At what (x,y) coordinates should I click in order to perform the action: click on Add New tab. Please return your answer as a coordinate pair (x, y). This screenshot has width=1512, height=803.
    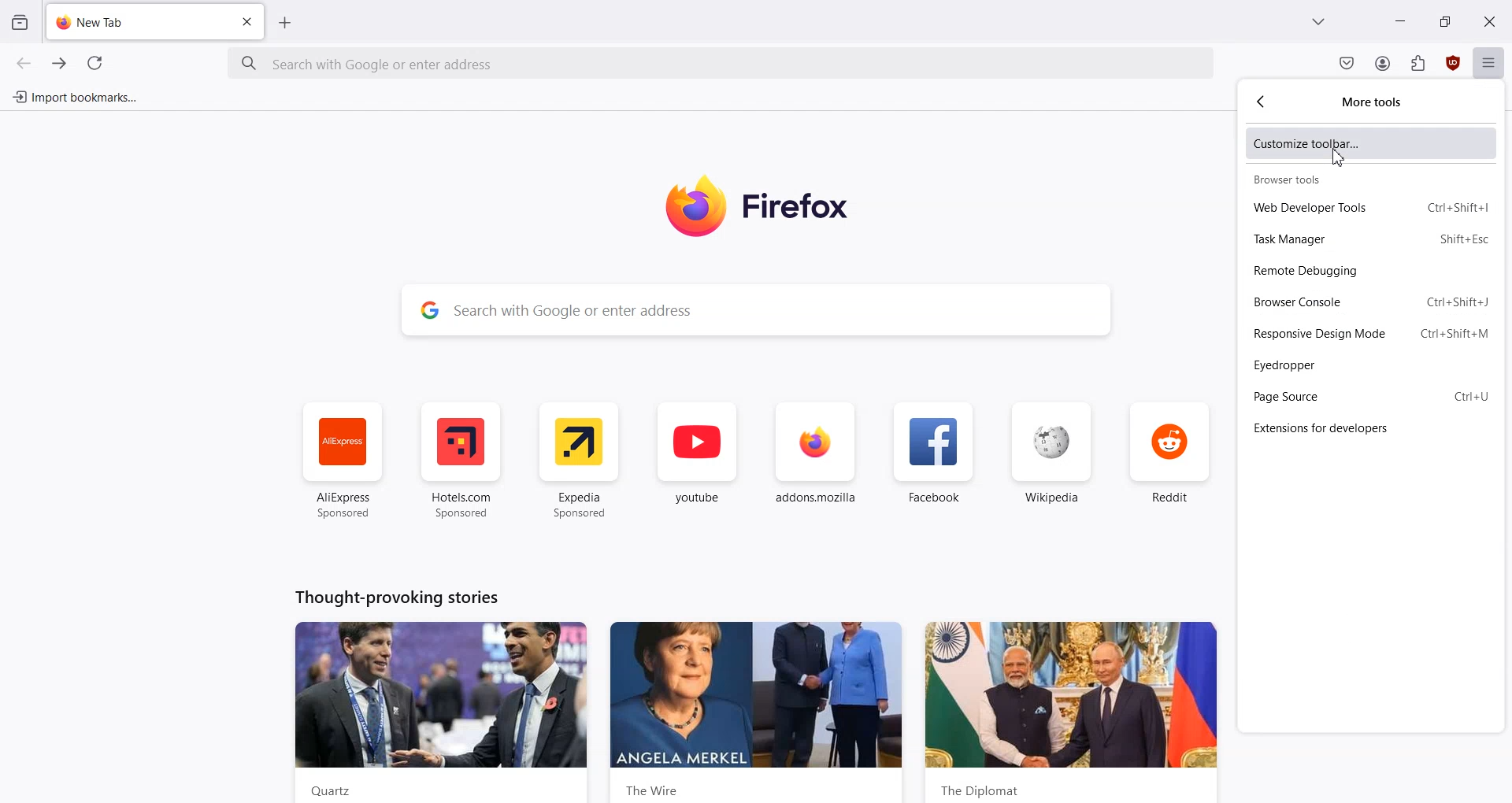
    Looking at the image, I should click on (285, 23).